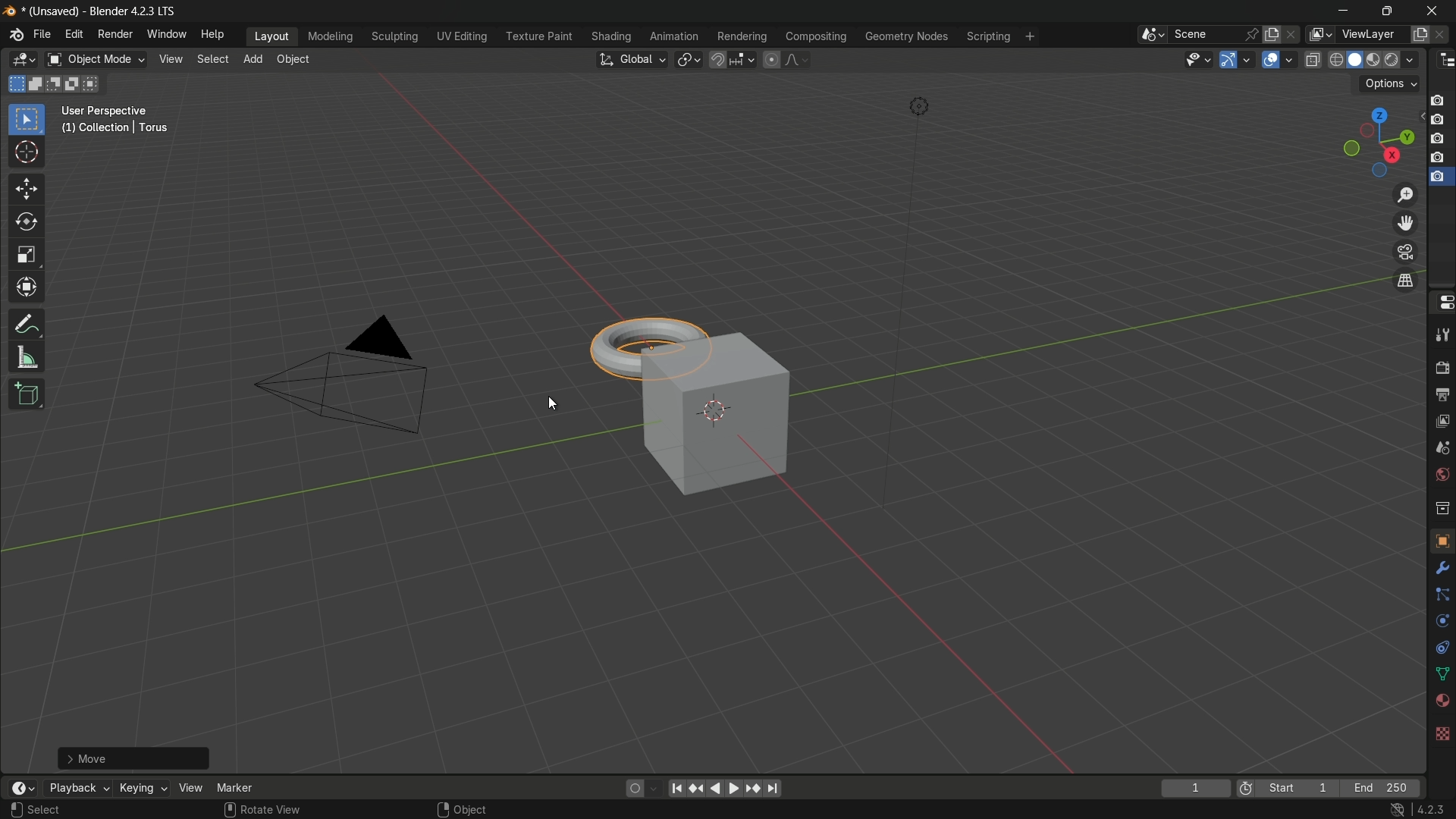 Image resolution: width=1456 pixels, height=819 pixels. Describe the element at coordinates (1431, 810) in the screenshot. I see `4.2.3` at that location.